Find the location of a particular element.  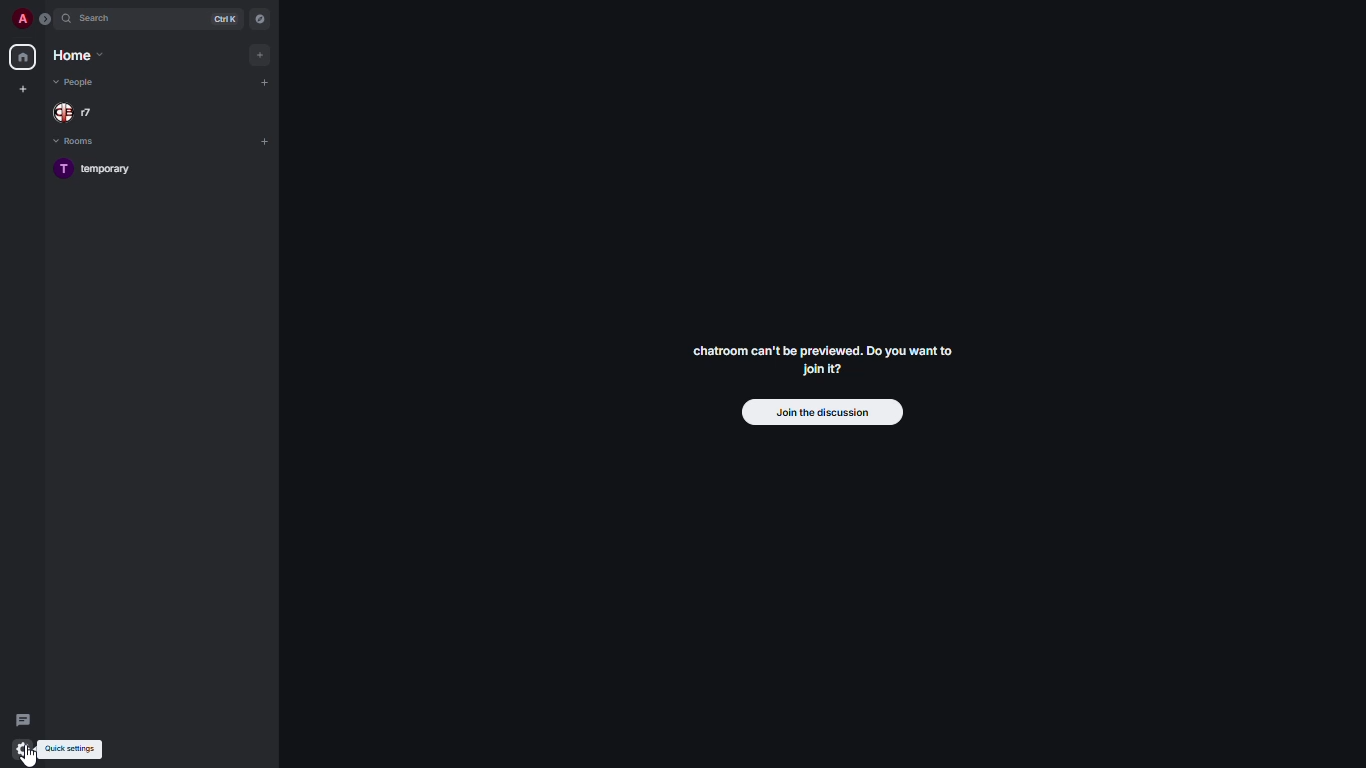

search is located at coordinates (104, 19).